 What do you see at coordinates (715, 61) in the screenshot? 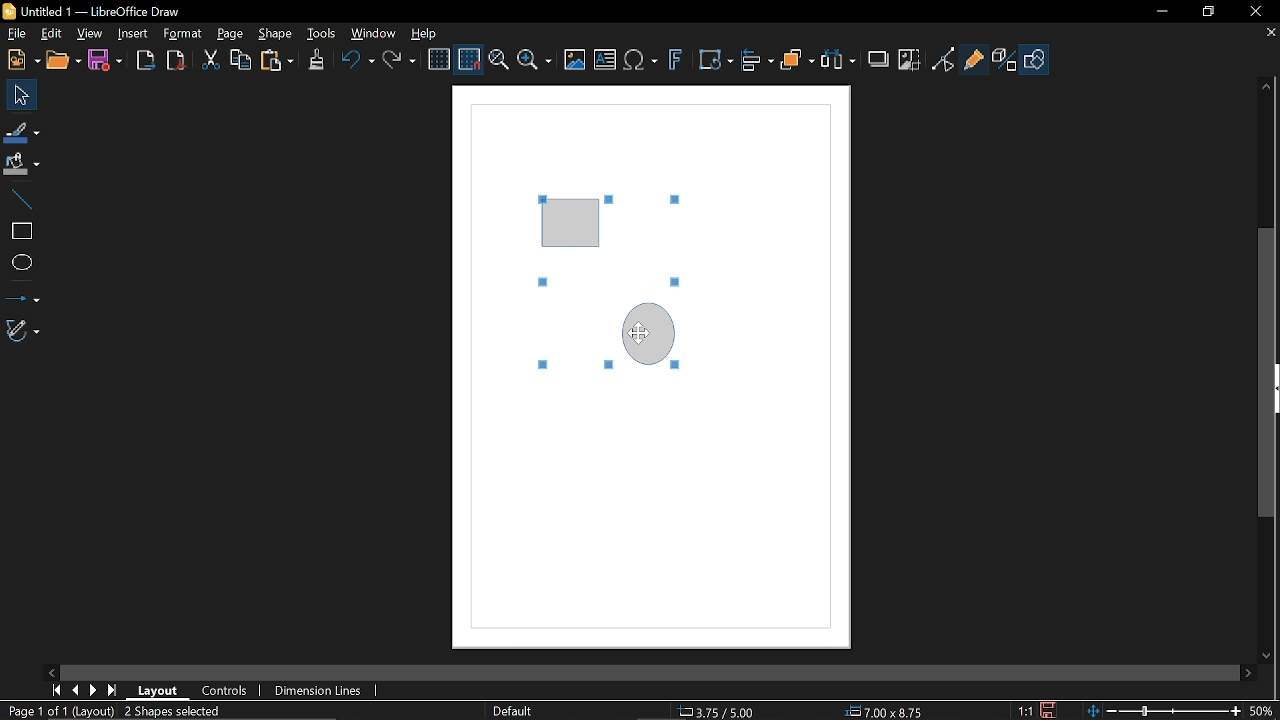
I see `Transform` at bounding box center [715, 61].